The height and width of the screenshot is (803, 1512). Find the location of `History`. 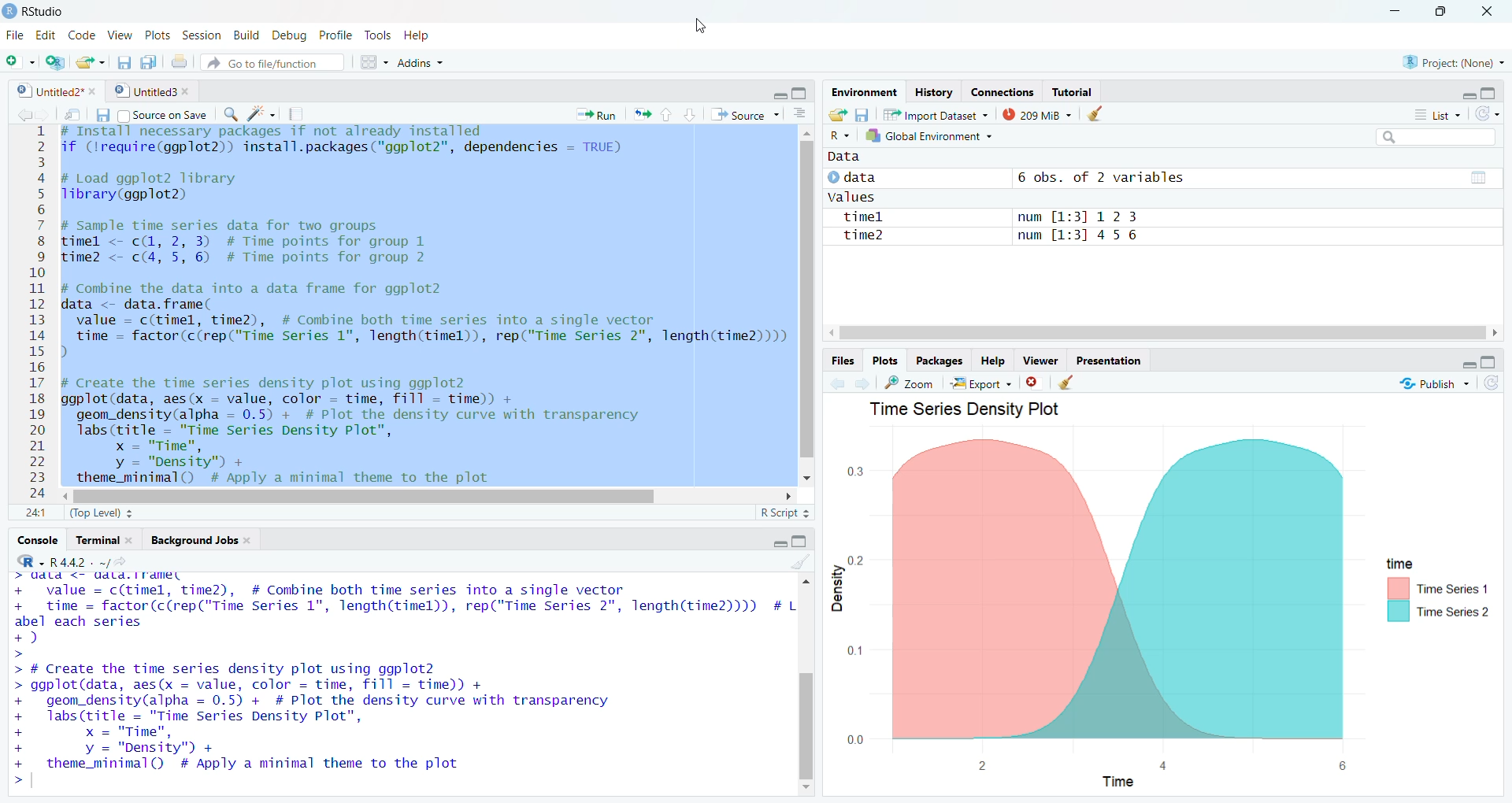

History is located at coordinates (935, 92).